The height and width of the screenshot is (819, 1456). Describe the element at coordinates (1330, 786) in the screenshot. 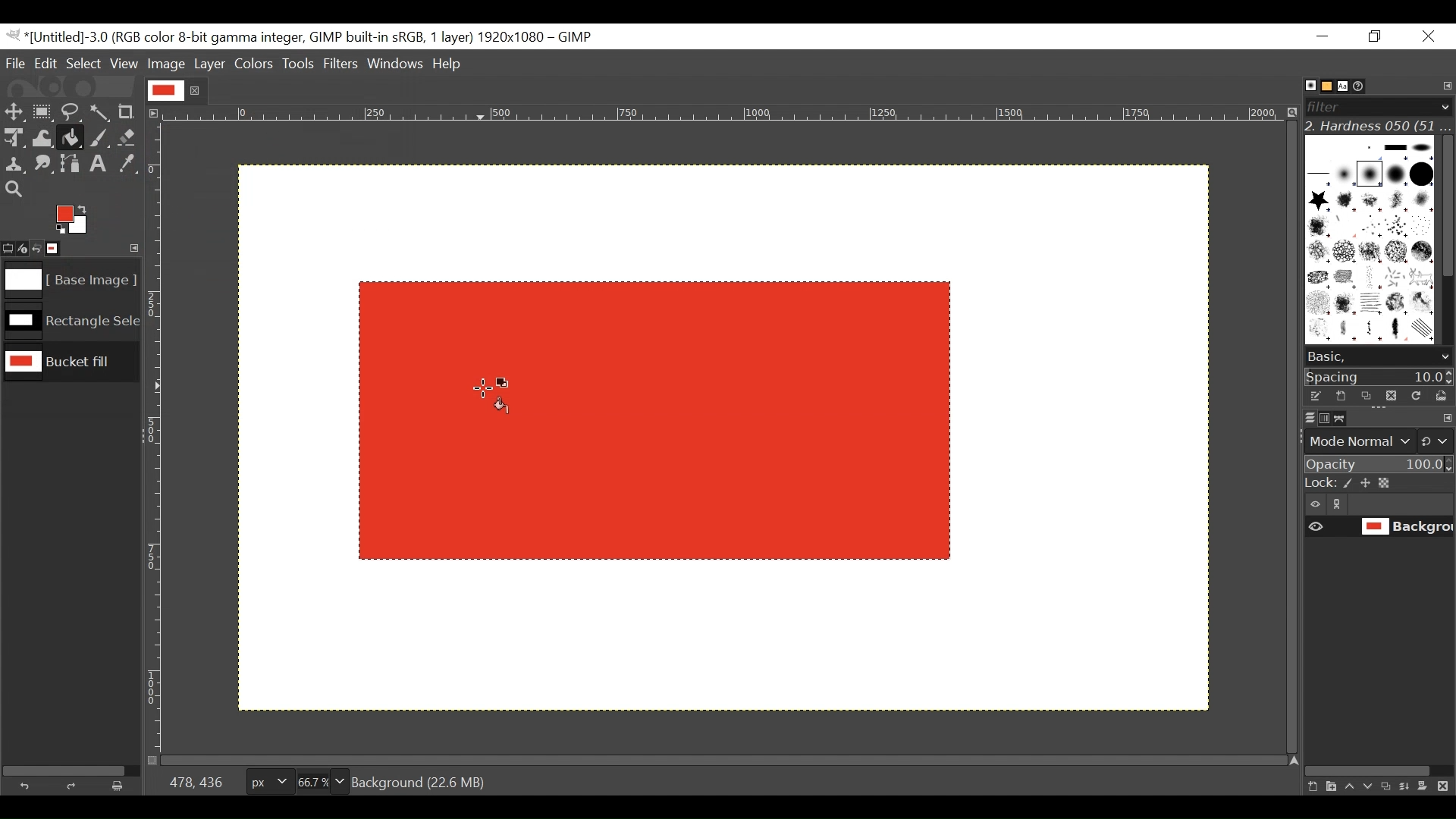

I see `Create a new layer` at that location.